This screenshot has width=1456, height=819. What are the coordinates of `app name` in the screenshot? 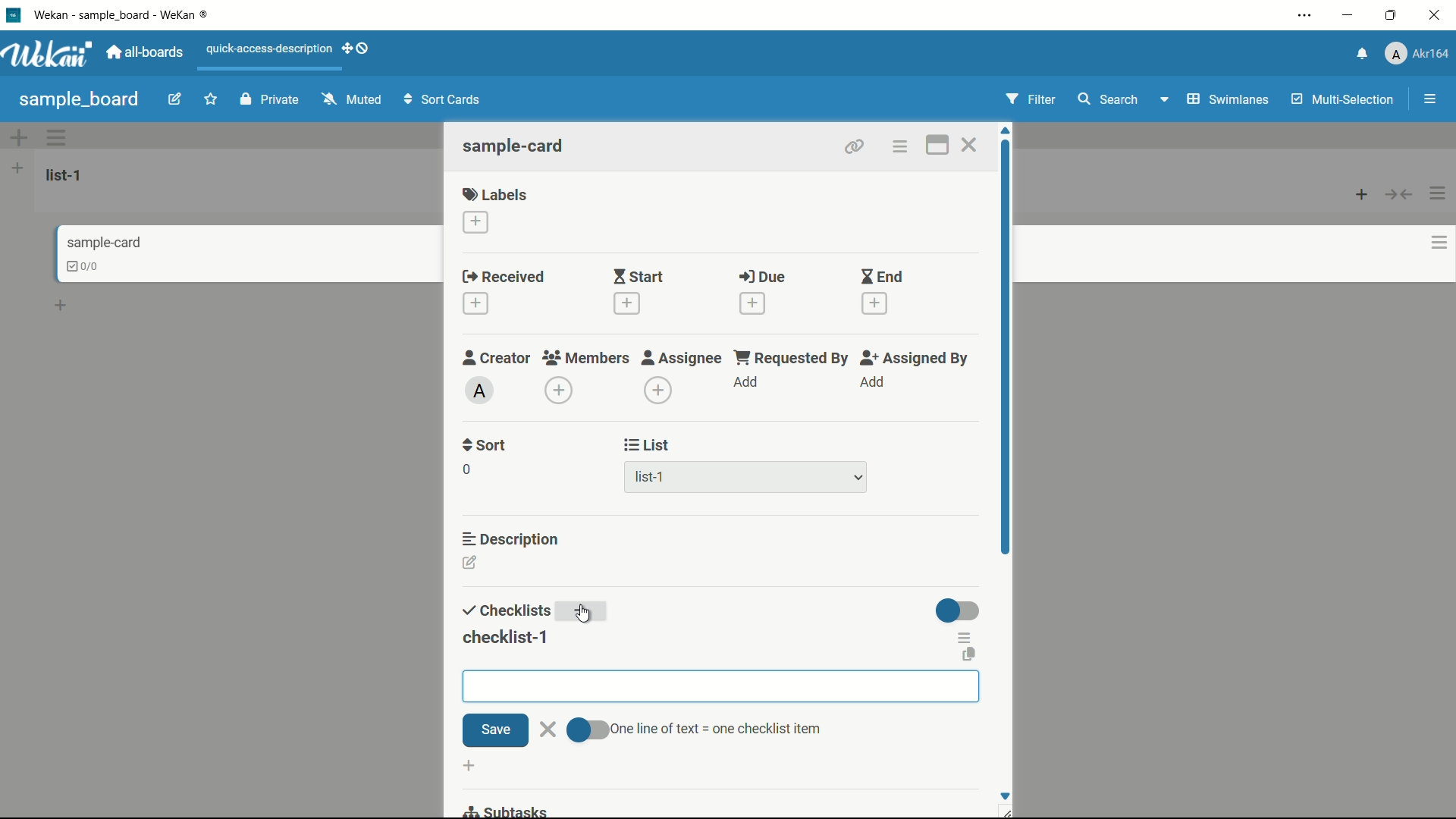 It's located at (124, 14).